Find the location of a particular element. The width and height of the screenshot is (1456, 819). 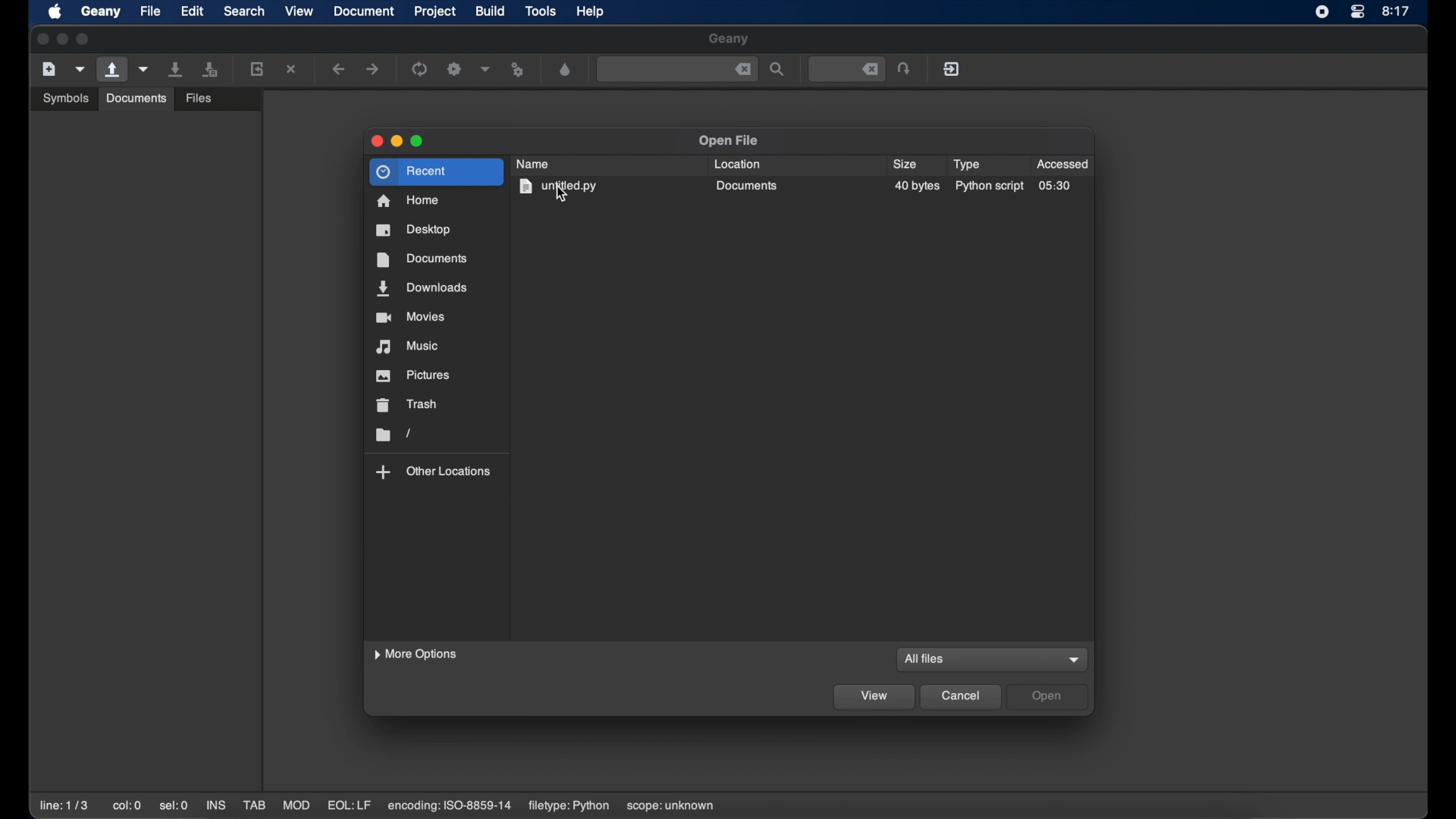

line: 1/3 is located at coordinates (64, 805).